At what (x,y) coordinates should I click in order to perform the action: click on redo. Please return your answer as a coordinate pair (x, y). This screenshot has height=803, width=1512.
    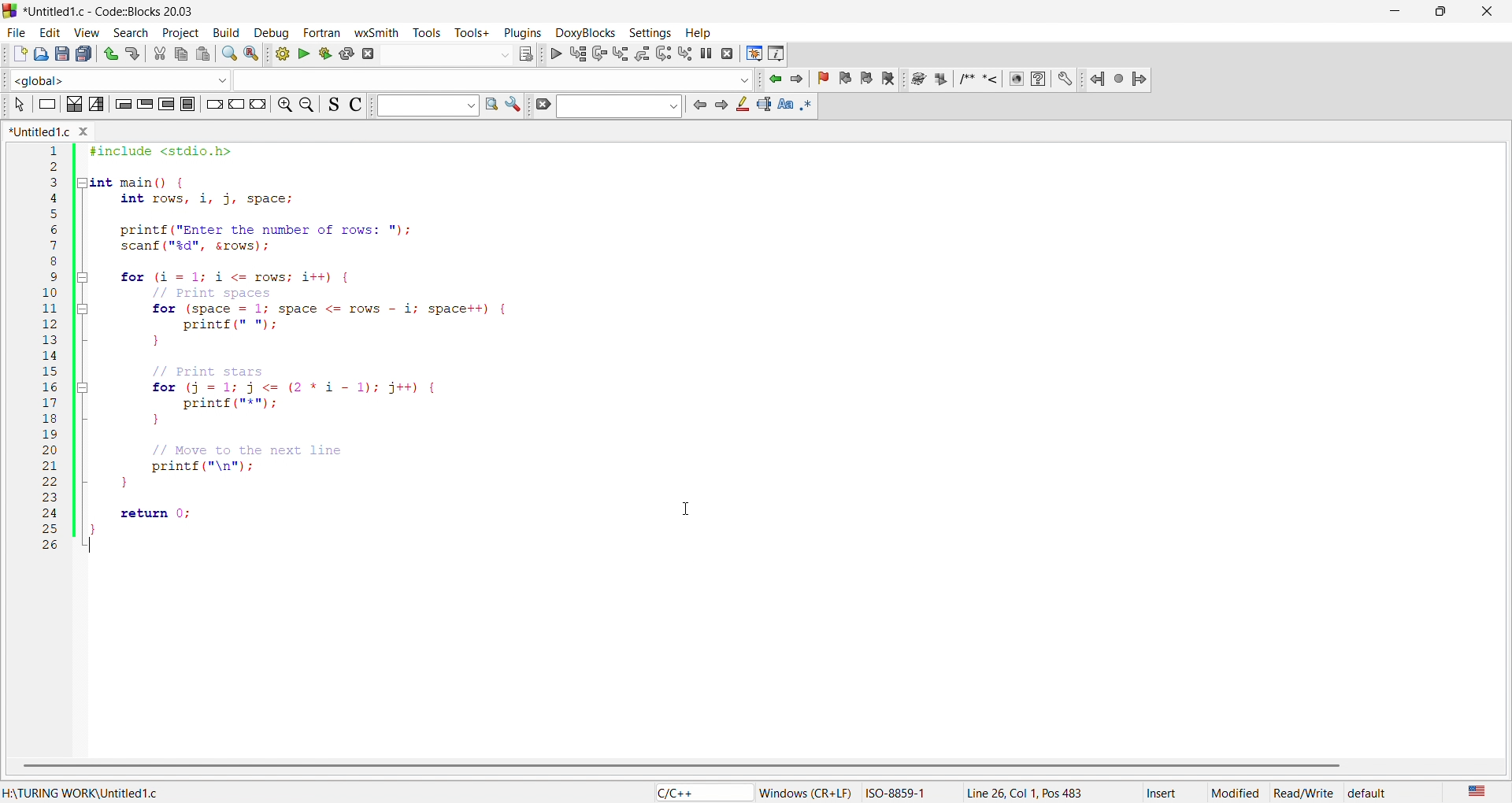
    Looking at the image, I should click on (131, 55).